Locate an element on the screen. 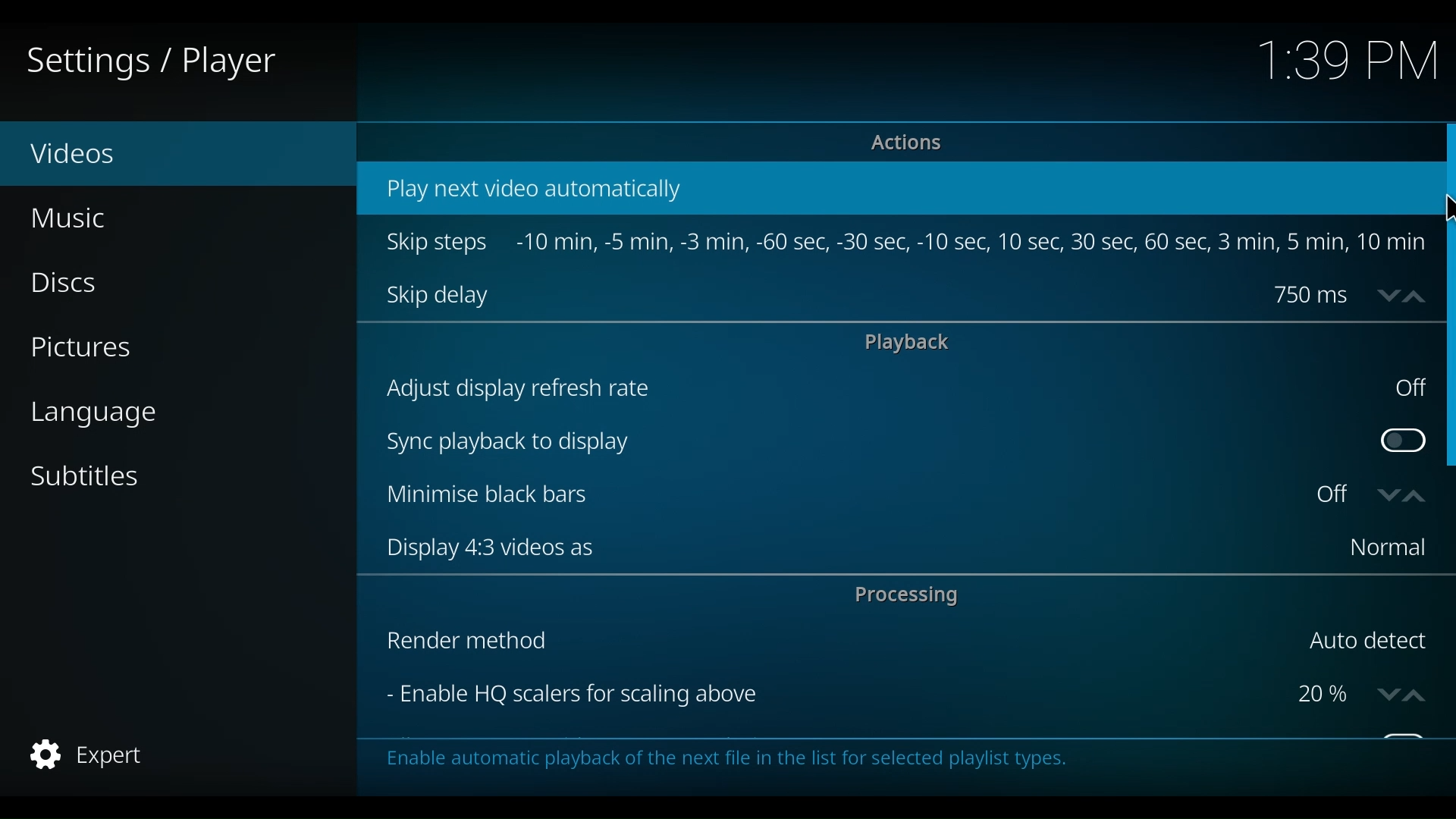 This screenshot has height=819, width=1456. Music is located at coordinates (72, 218).